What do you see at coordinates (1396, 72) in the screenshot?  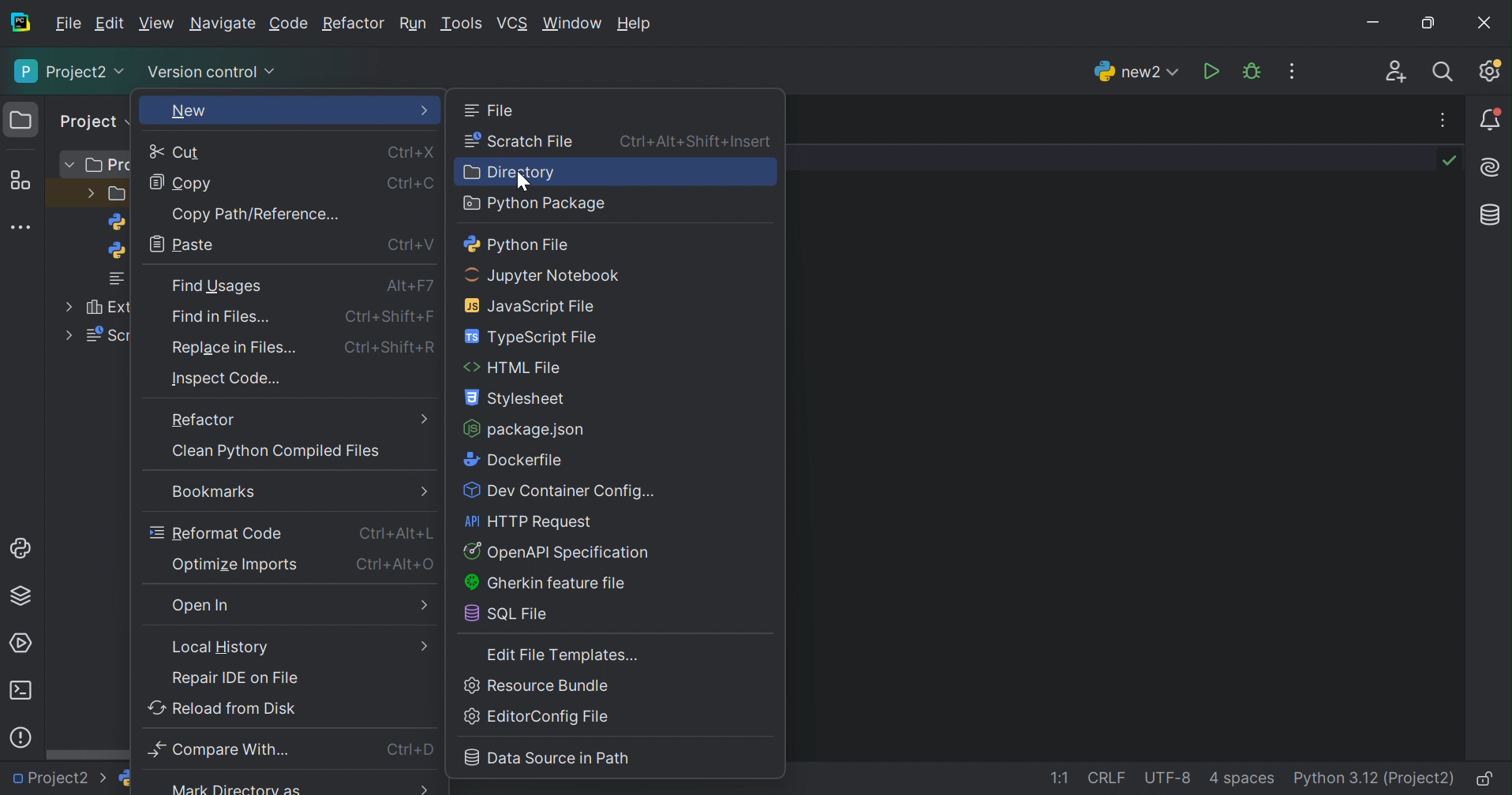 I see `Code with me` at bounding box center [1396, 72].